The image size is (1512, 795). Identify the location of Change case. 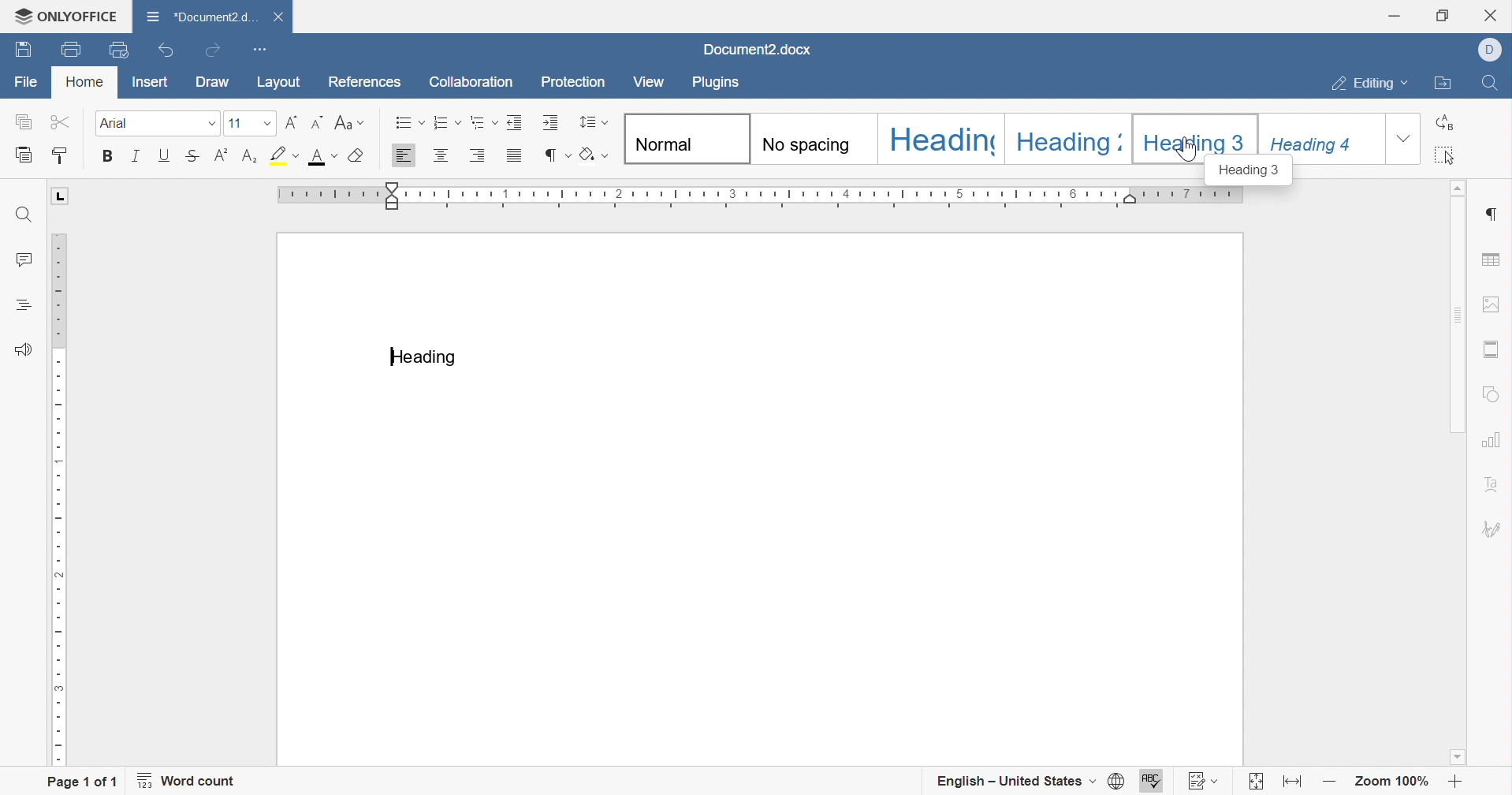
(345, 124).